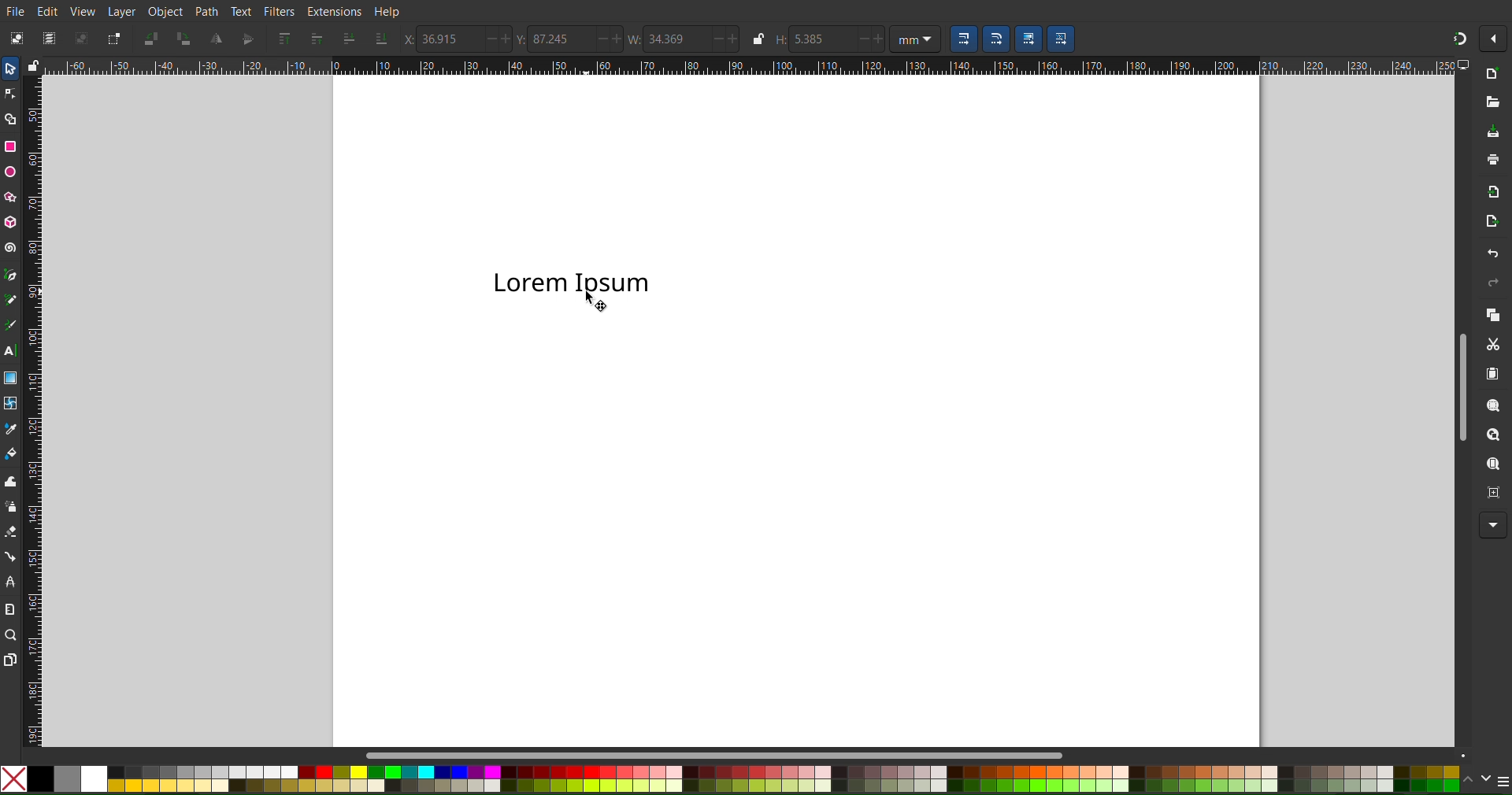 The width and height of the screenshot is (1512, 795). Describe the element at coordinates (1490, 253) in the screenshot. I see `Undo` at that location.